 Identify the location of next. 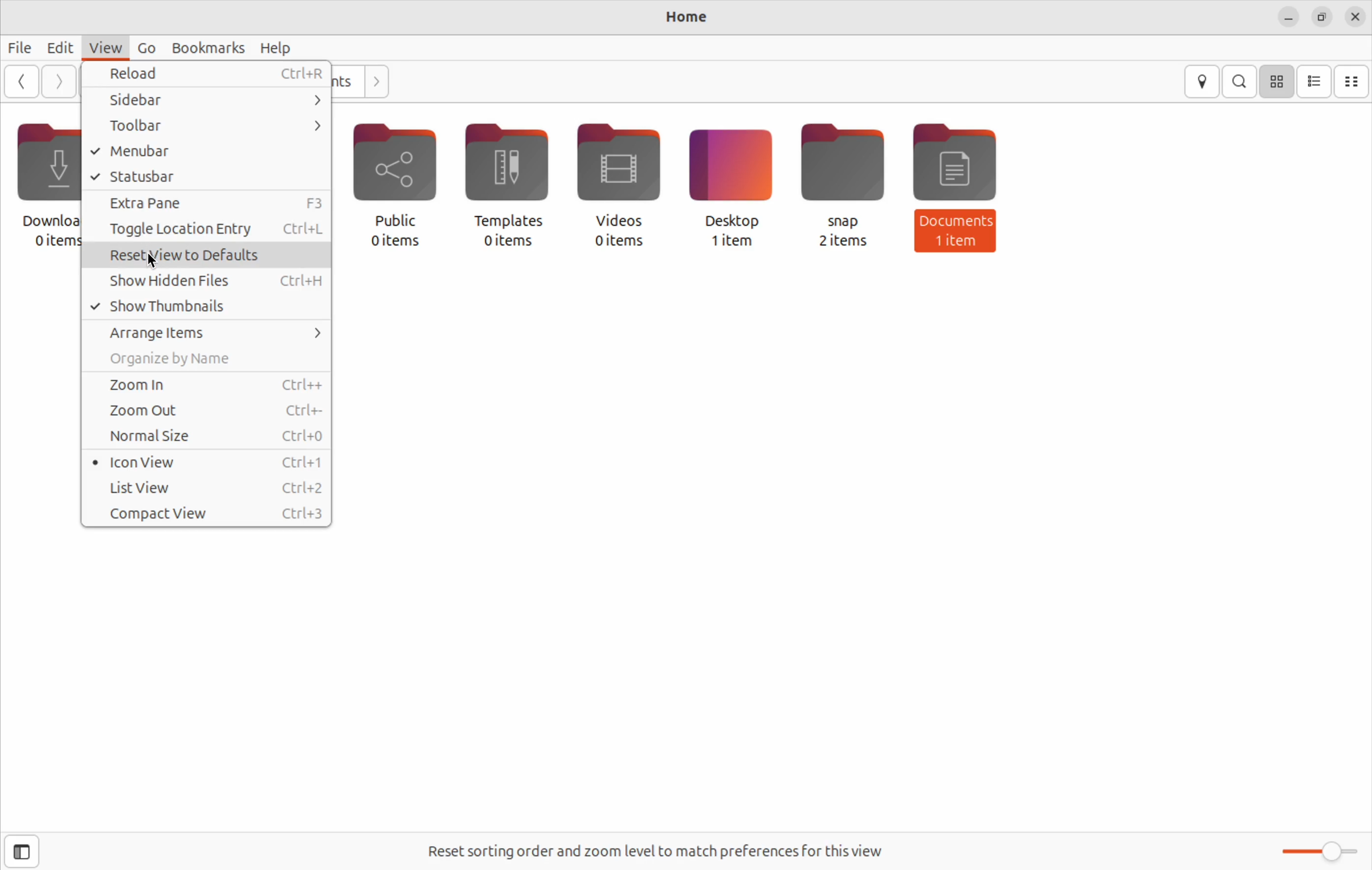
(377, 81).